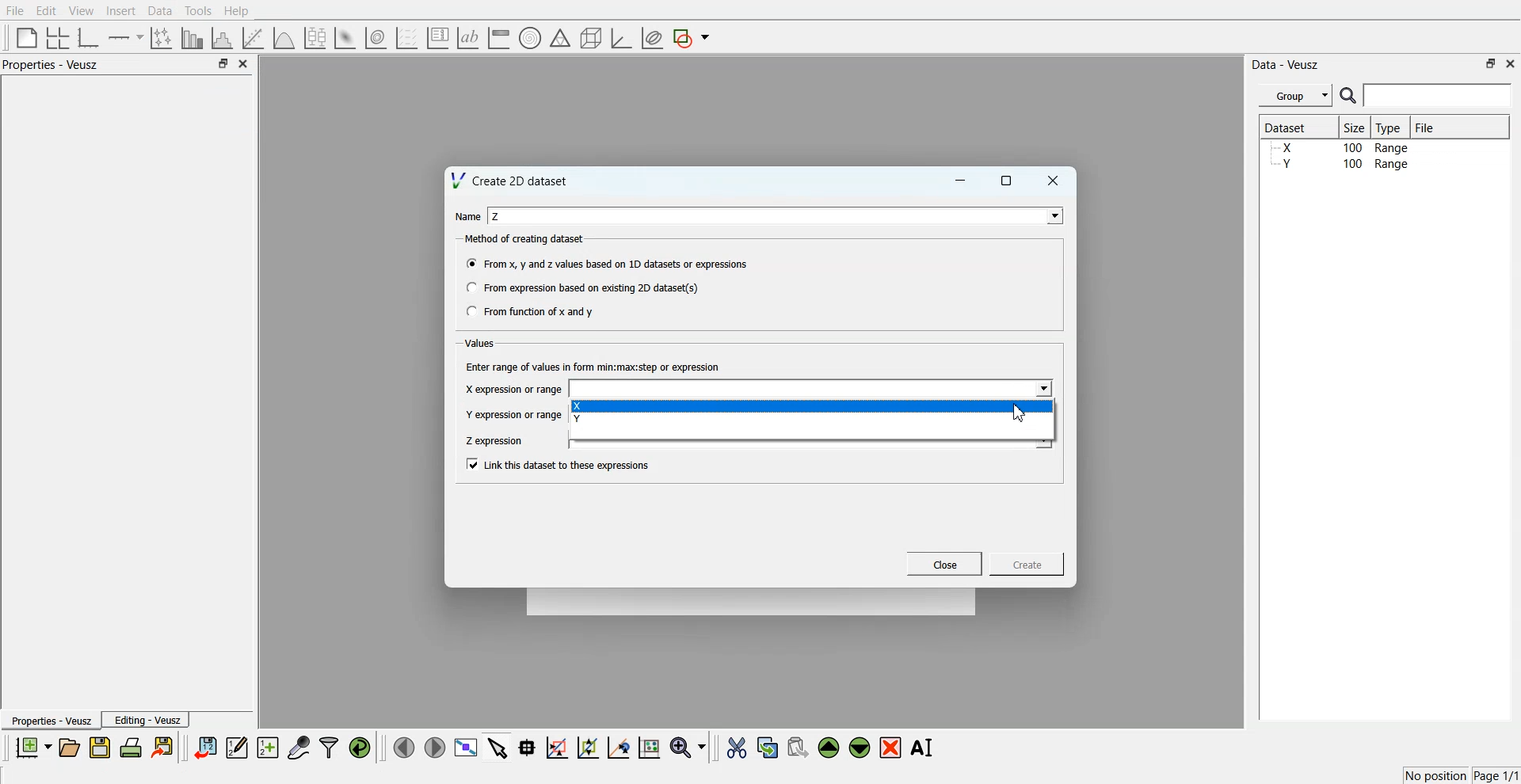  Describe the element at coordinates (82, 11) in the screenshot. I see `View` at that location.